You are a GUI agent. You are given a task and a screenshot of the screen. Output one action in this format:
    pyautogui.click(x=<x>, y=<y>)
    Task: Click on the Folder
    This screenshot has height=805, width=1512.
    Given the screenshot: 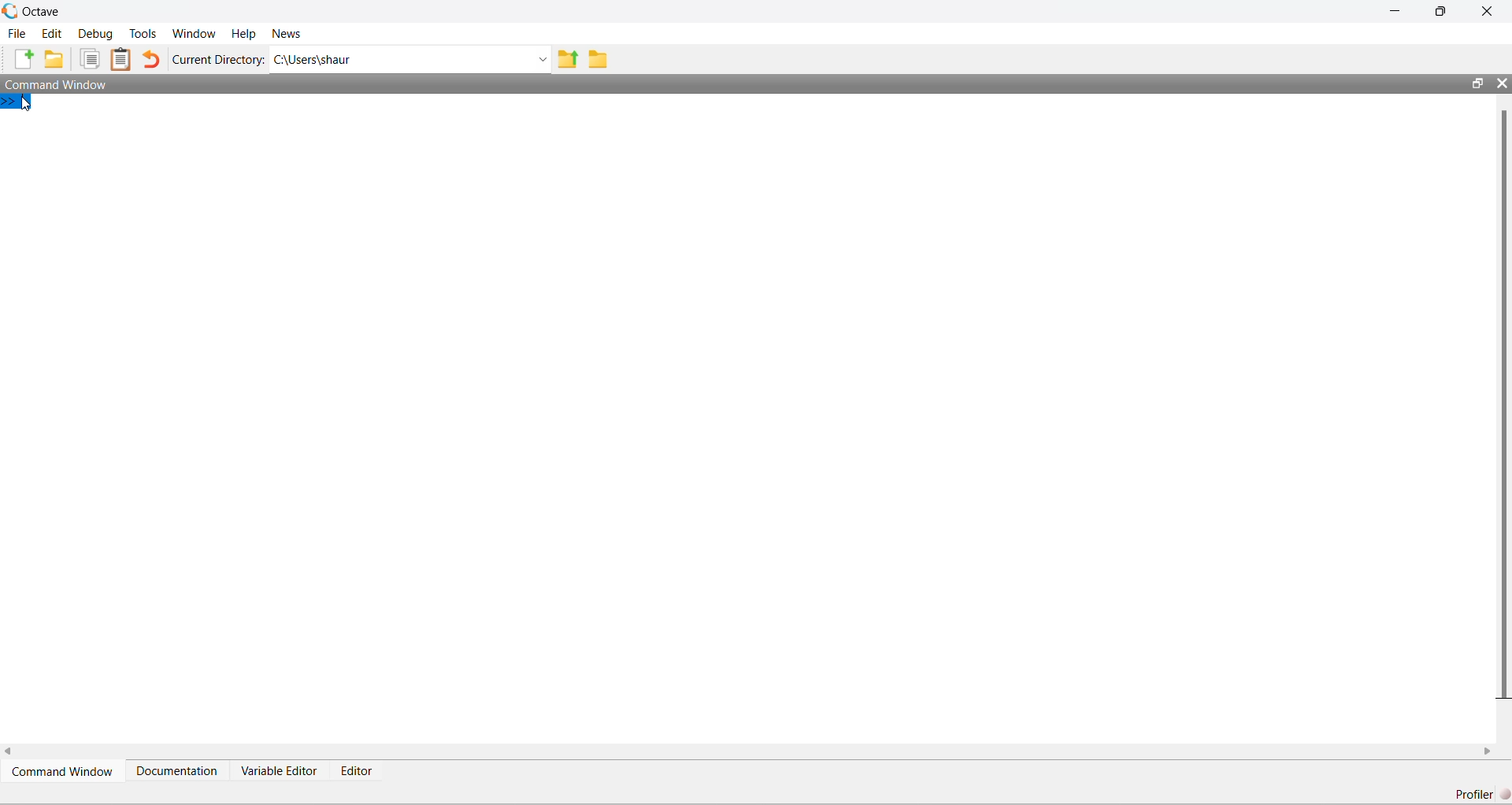 What is the action you would take?
    pyautogui.click(x=598, y=59)
    